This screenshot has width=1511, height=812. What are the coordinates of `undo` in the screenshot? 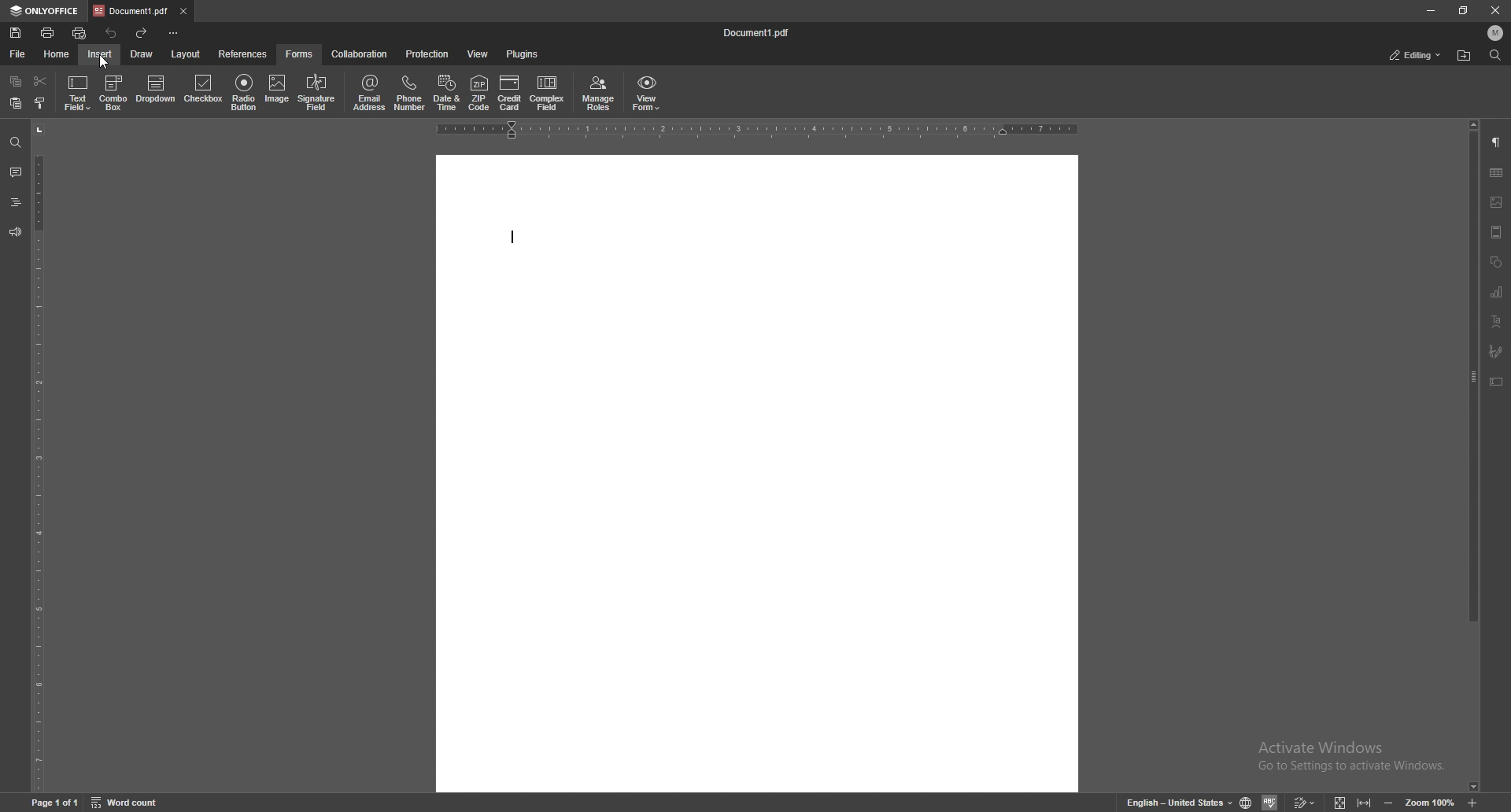 It's located at (115, 33).